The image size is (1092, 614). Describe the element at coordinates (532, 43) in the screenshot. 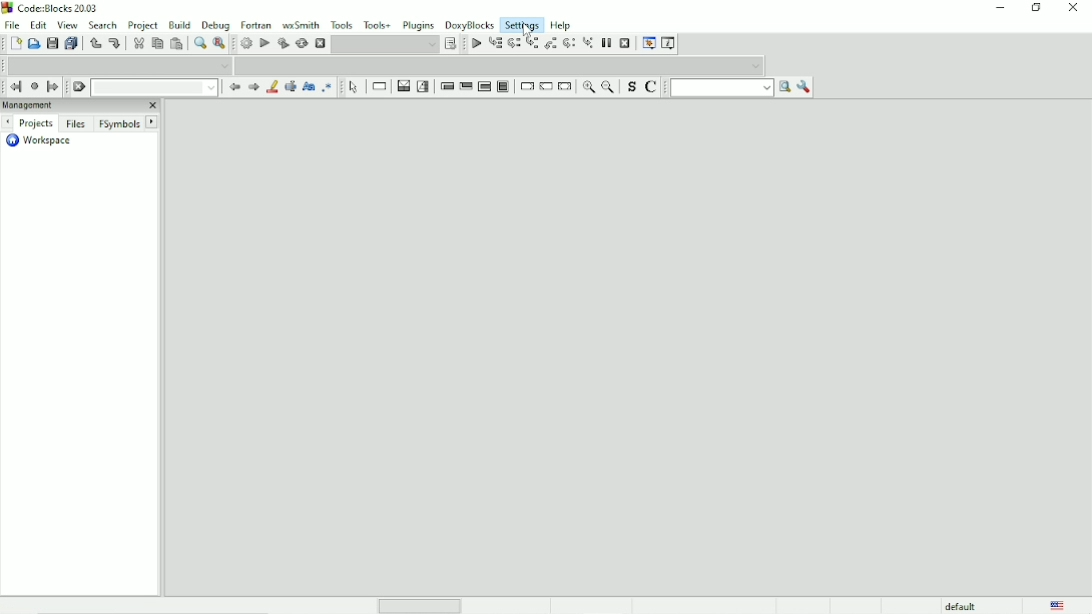

I see `Step into` at that location.